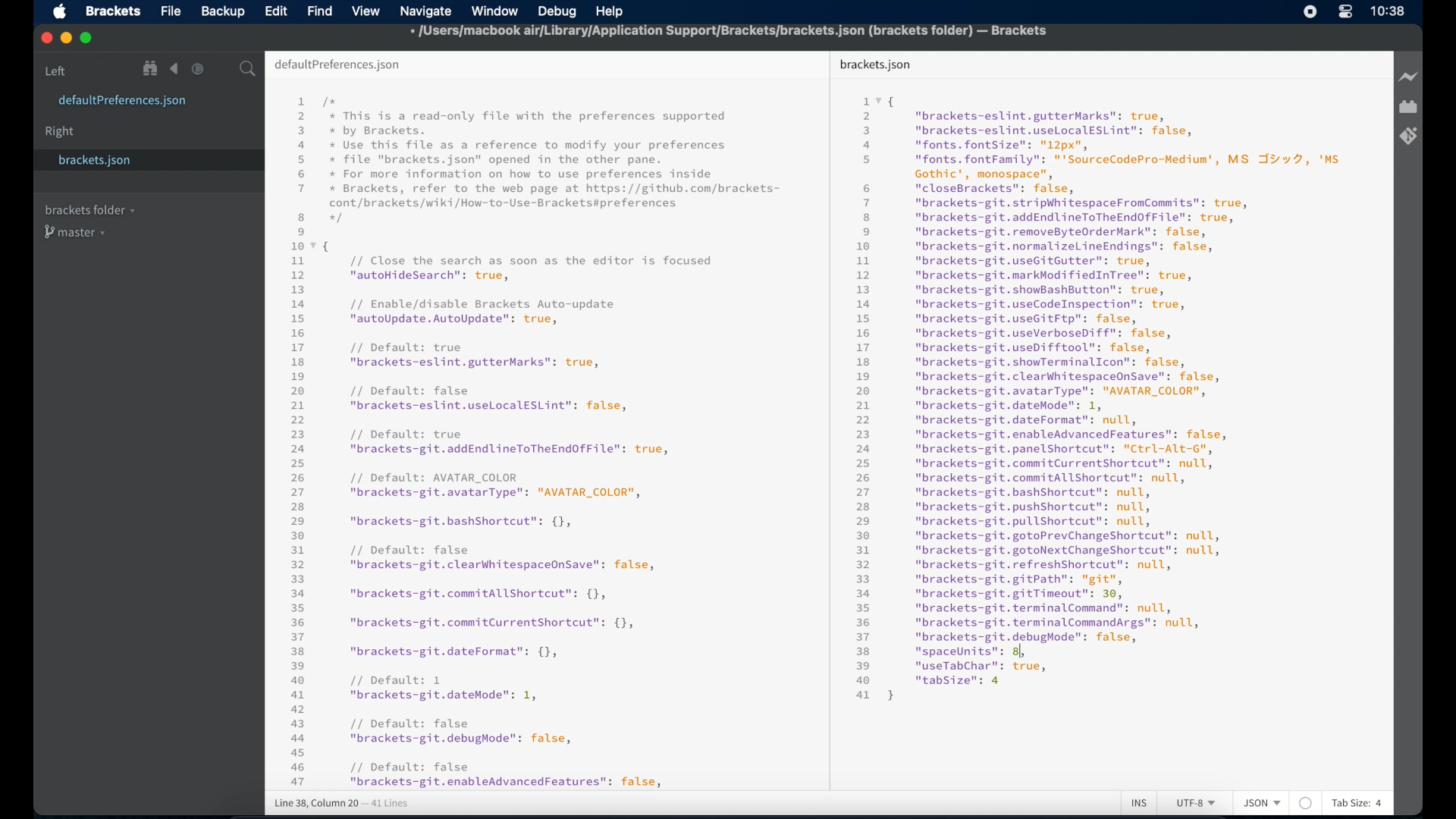  I want to click on backup, so click(223, 11).